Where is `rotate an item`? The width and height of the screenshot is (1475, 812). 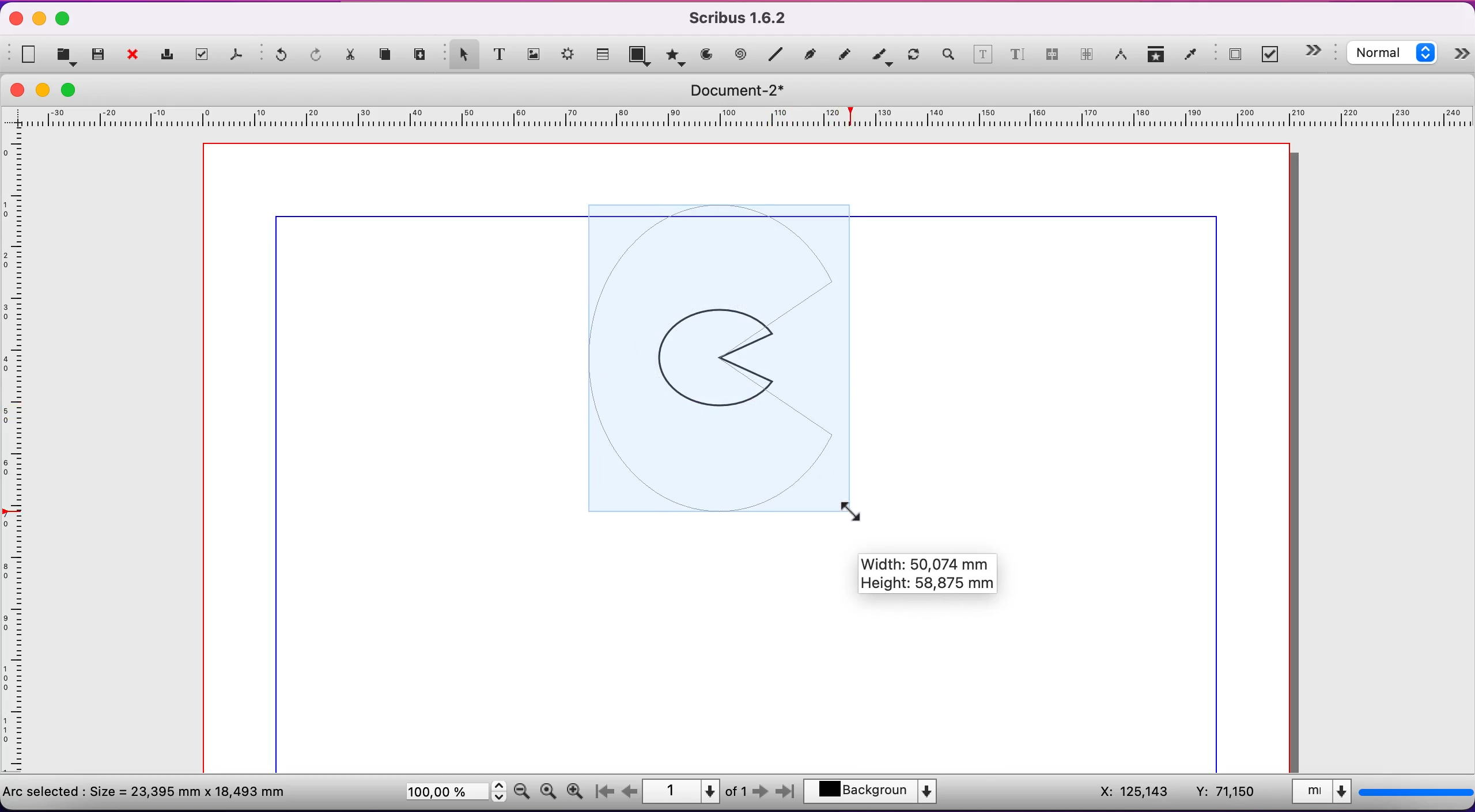 rotate an item is located at coordinates (914, 56).